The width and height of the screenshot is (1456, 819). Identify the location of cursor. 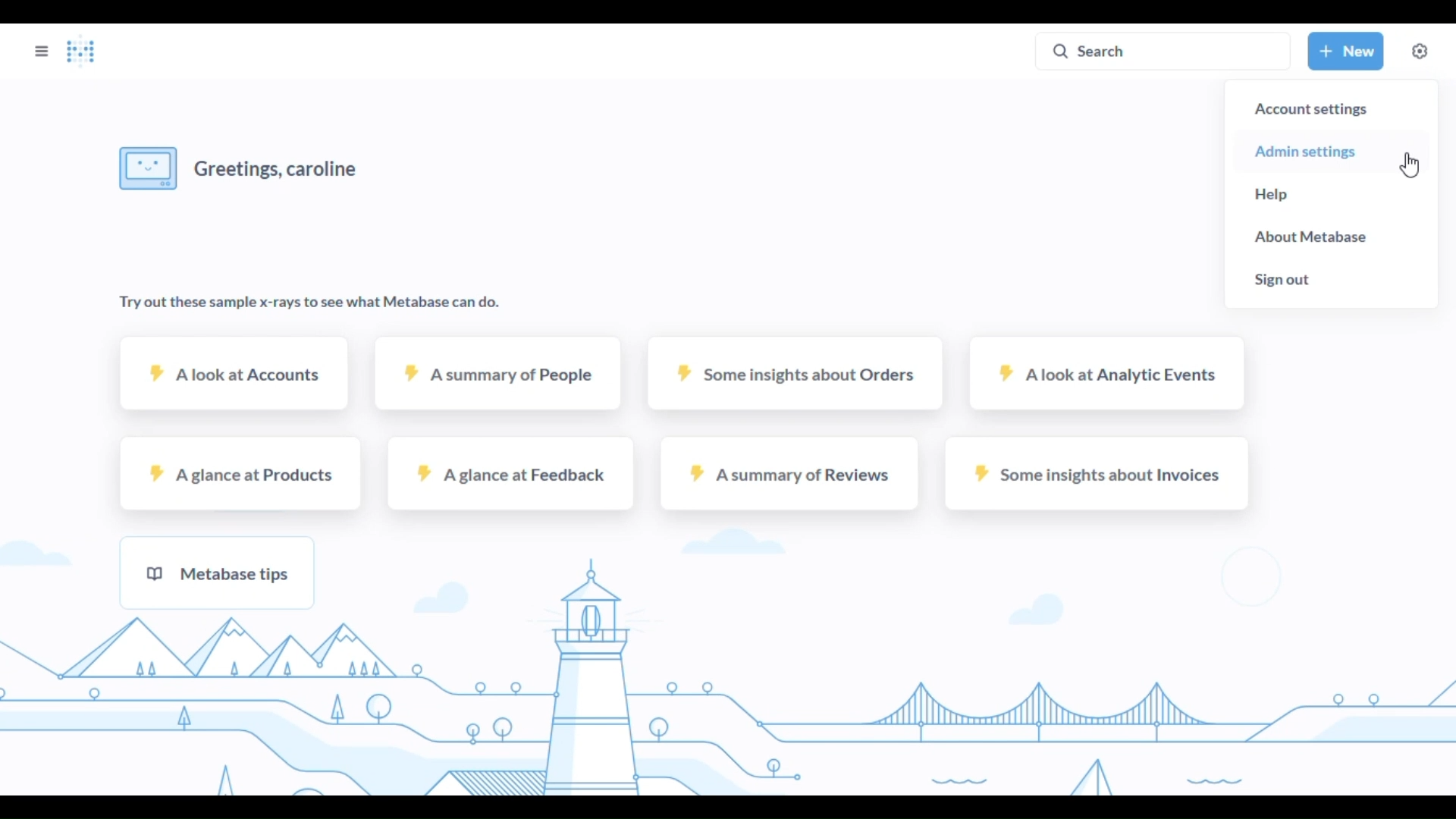
(1410, 165).